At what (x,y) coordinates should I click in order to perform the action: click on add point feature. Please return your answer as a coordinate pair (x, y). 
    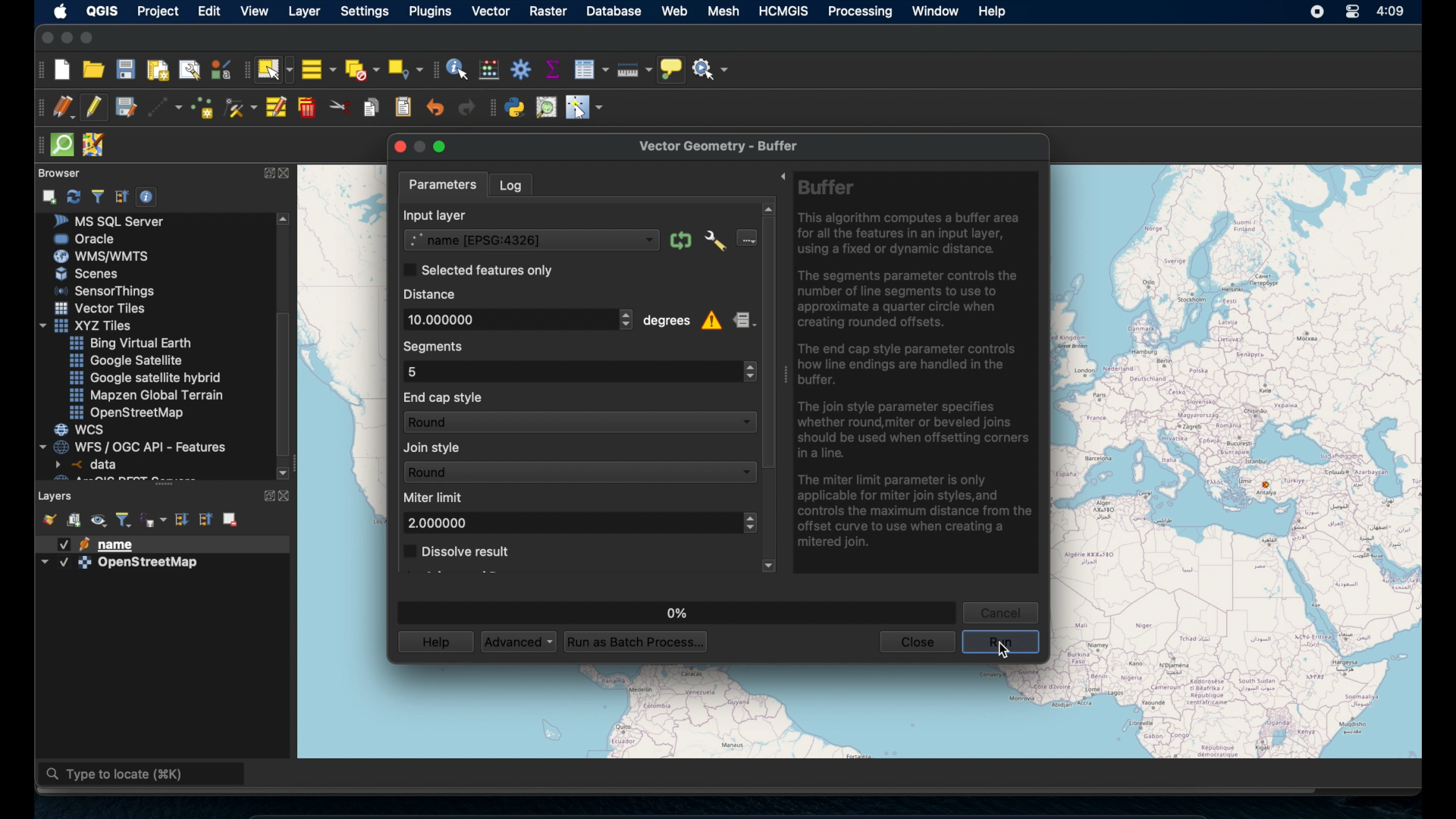
    Looking at the image, I should click on (203, 106).